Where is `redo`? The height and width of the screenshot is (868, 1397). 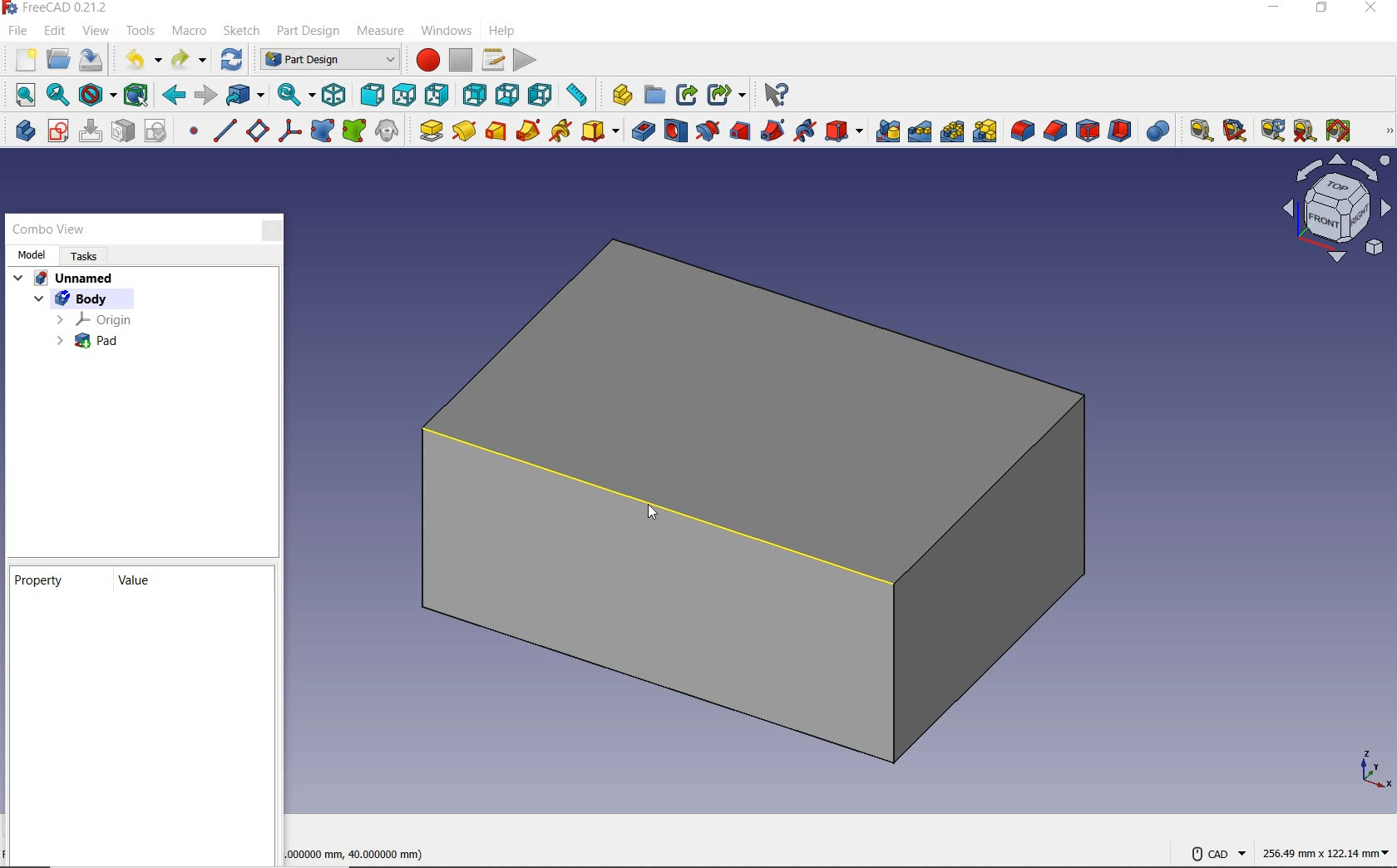 redo is located at coordinates (190, 60).